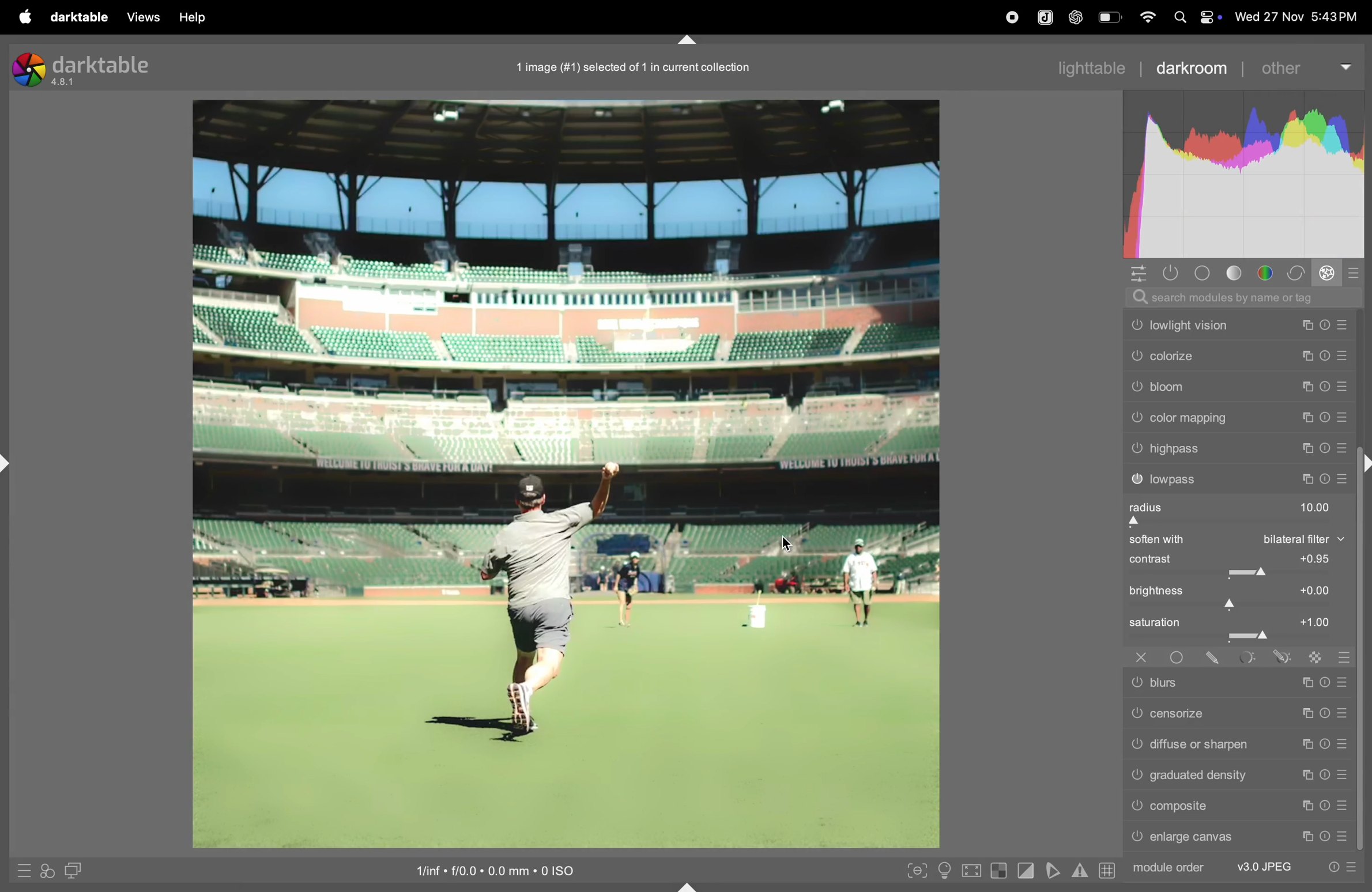 The height and width of the screenshot is (892, 1372). I want to click on date and time, so click(1296, 14).